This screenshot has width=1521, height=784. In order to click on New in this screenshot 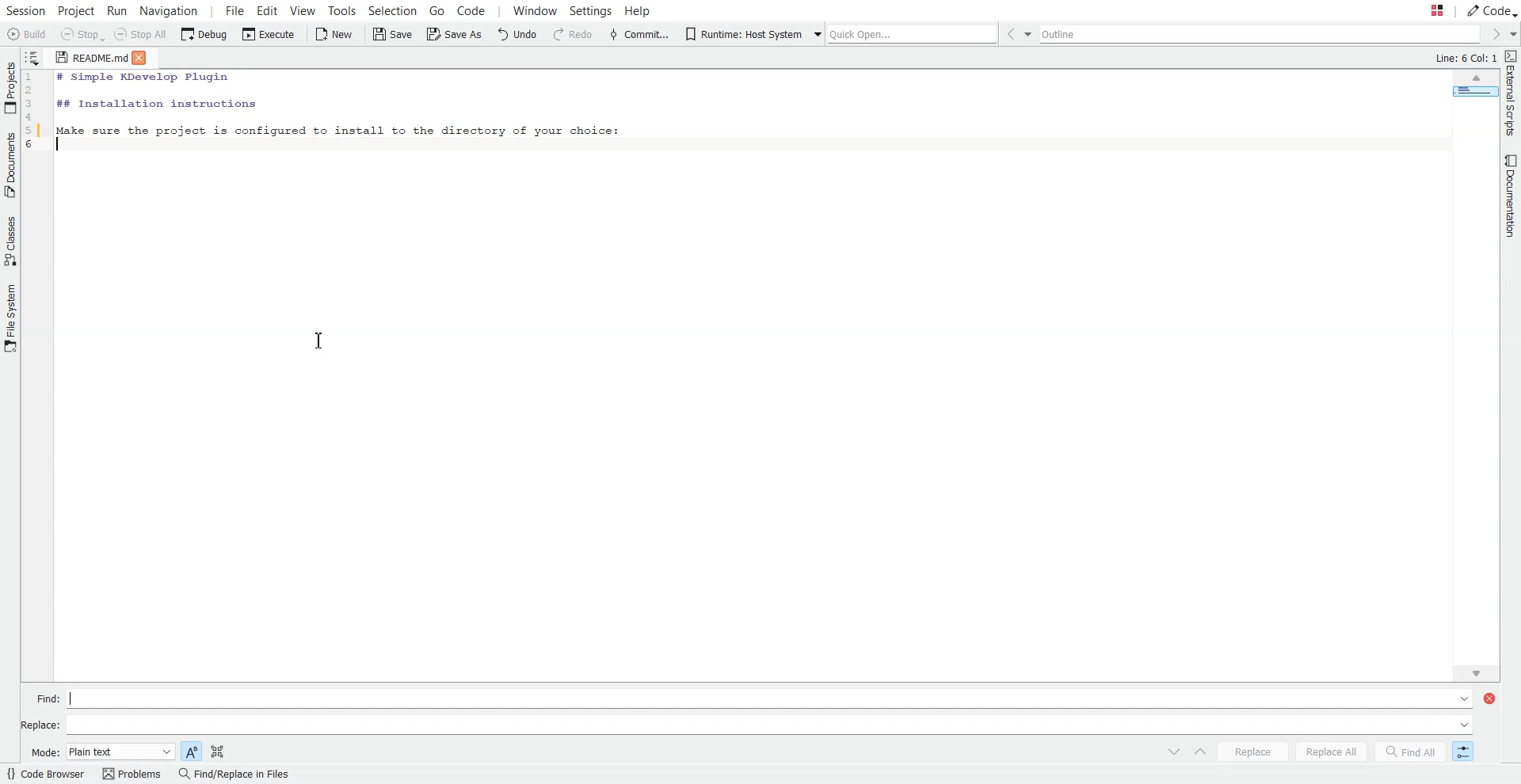, I will do `click(335, 34)`.